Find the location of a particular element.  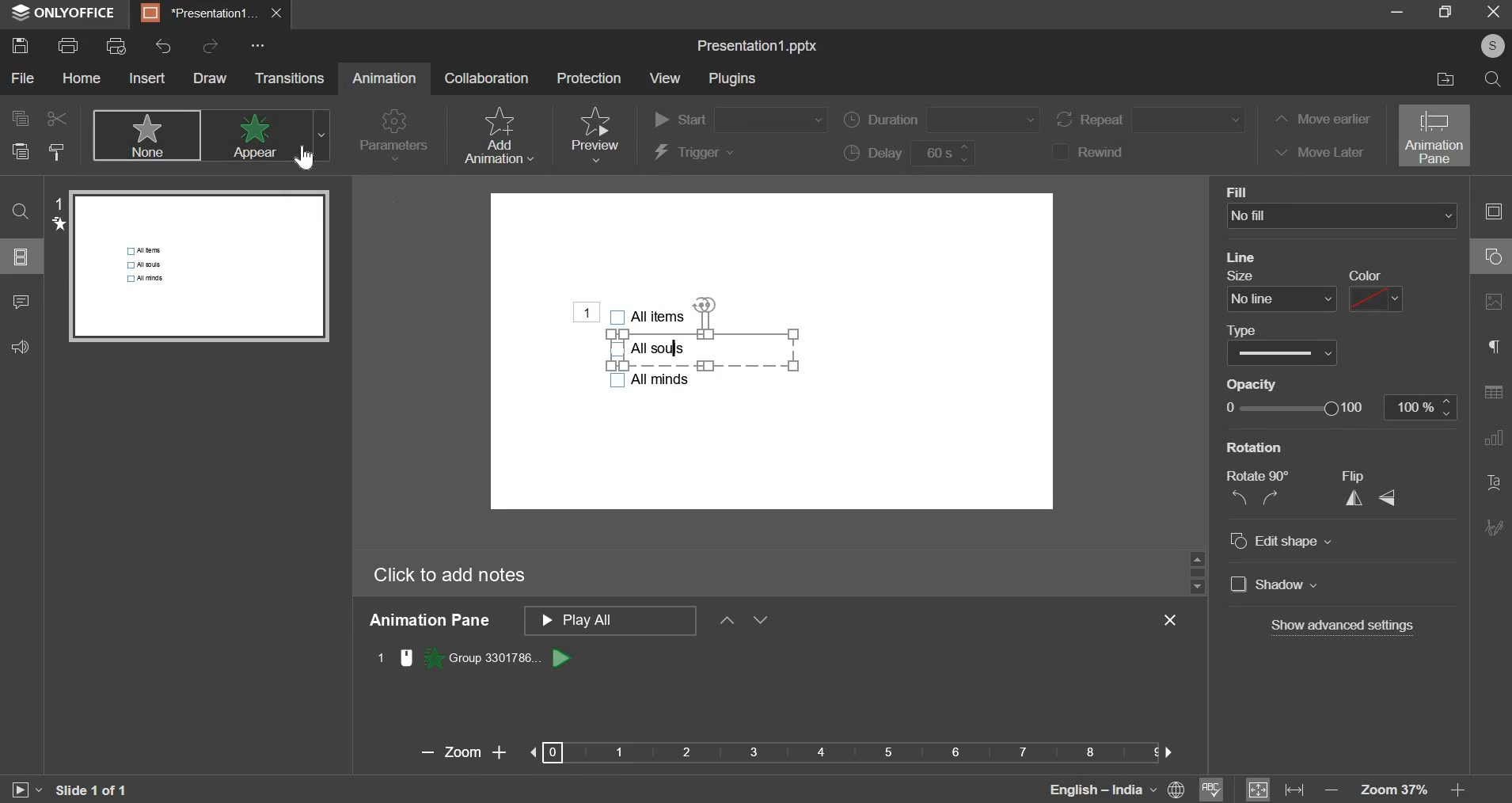

collaboration is located at coordinates (487, 77).